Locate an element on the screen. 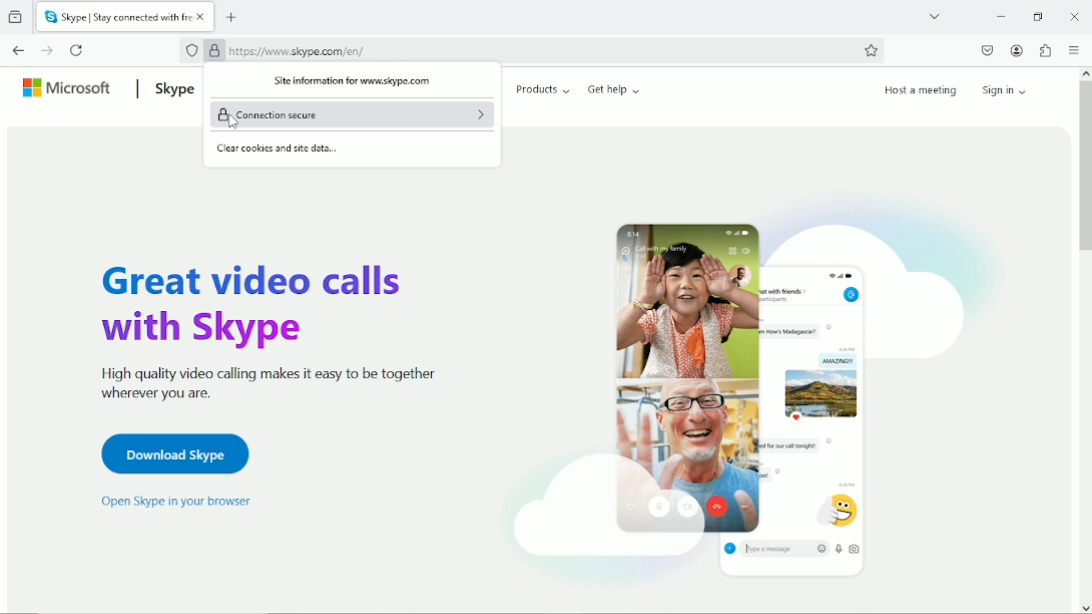 The width and height of the screenshot is (1092, 614). Restore down is located at coordinates (1037, 16).